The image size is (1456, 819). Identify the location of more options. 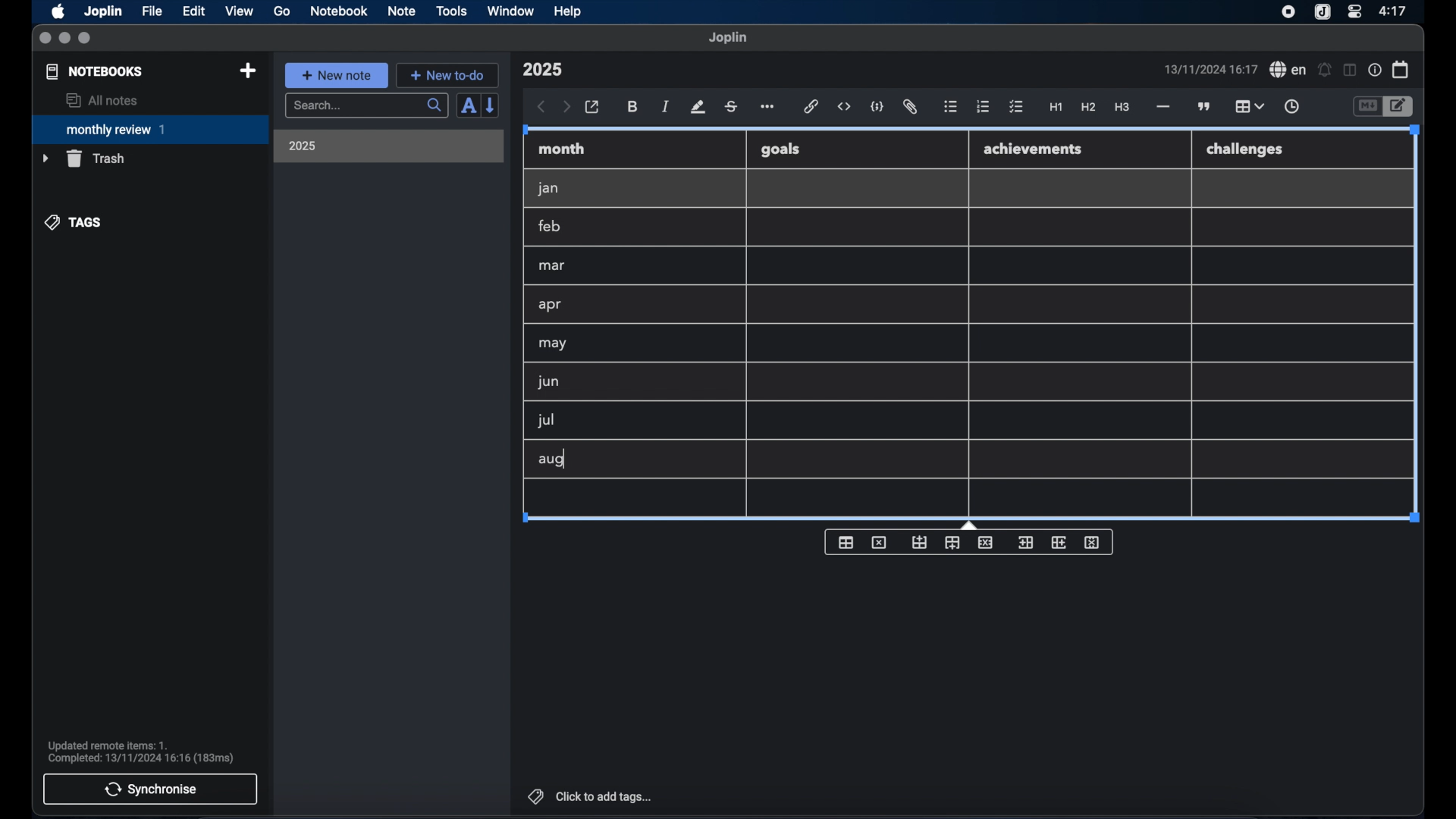
(769, 108).